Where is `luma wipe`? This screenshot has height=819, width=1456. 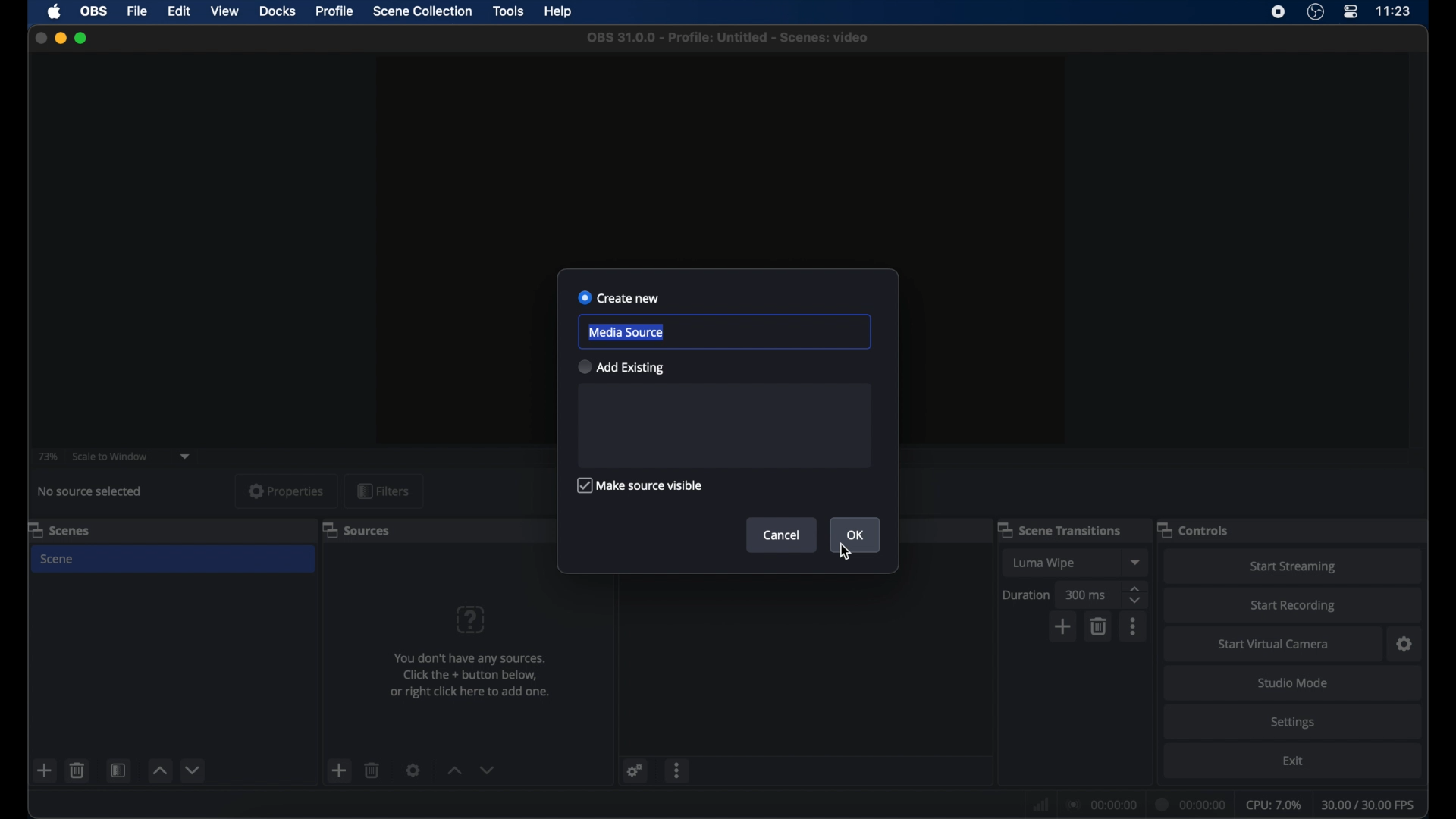
luma wipe is located at coordinates (1043, 563).